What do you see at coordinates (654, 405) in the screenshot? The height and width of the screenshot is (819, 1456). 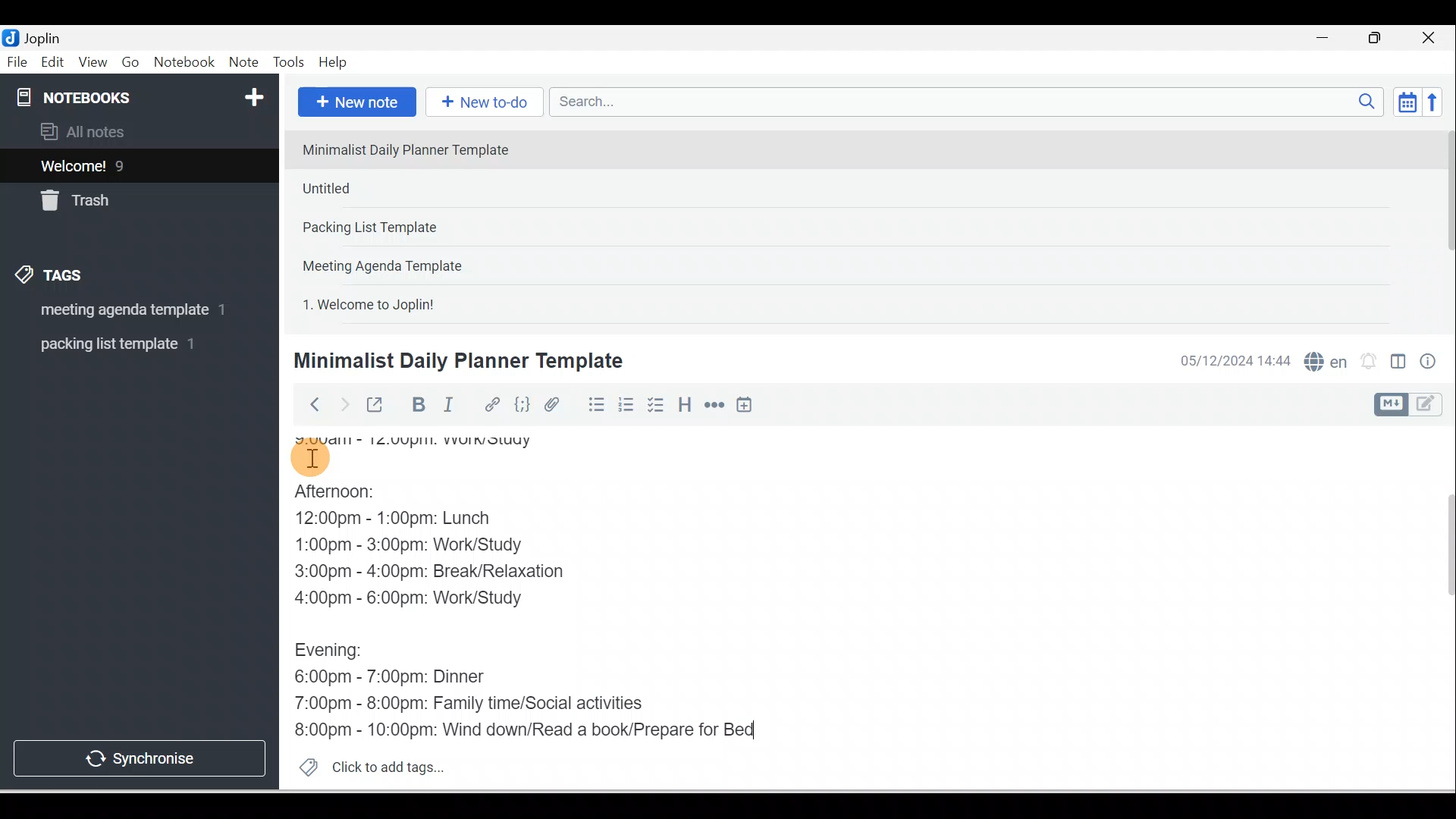 I see `Checkbox` at bounding box center [654, 405].